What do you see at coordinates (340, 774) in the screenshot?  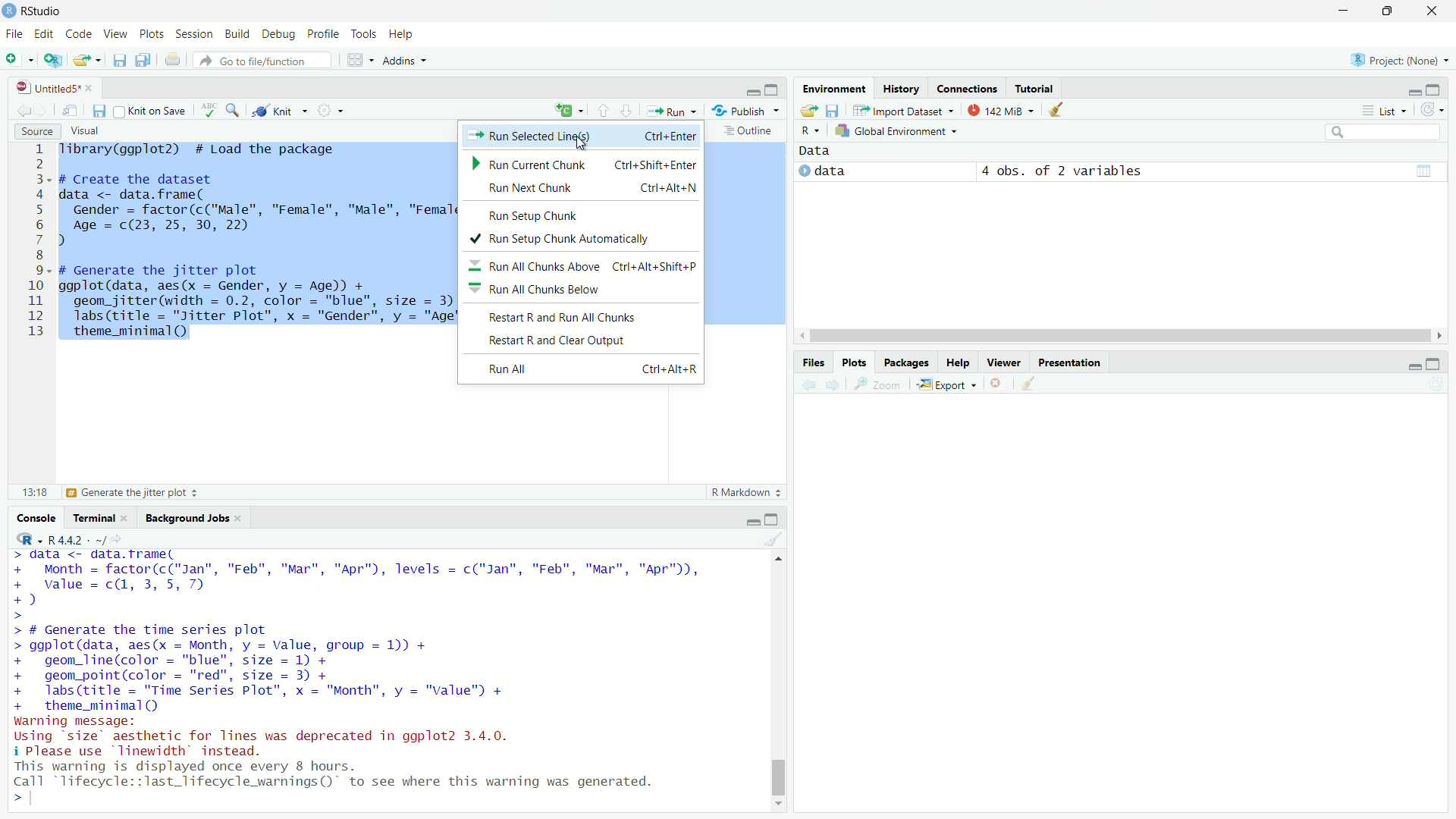 I see `warning displayed` at bounding box center [340, 774].